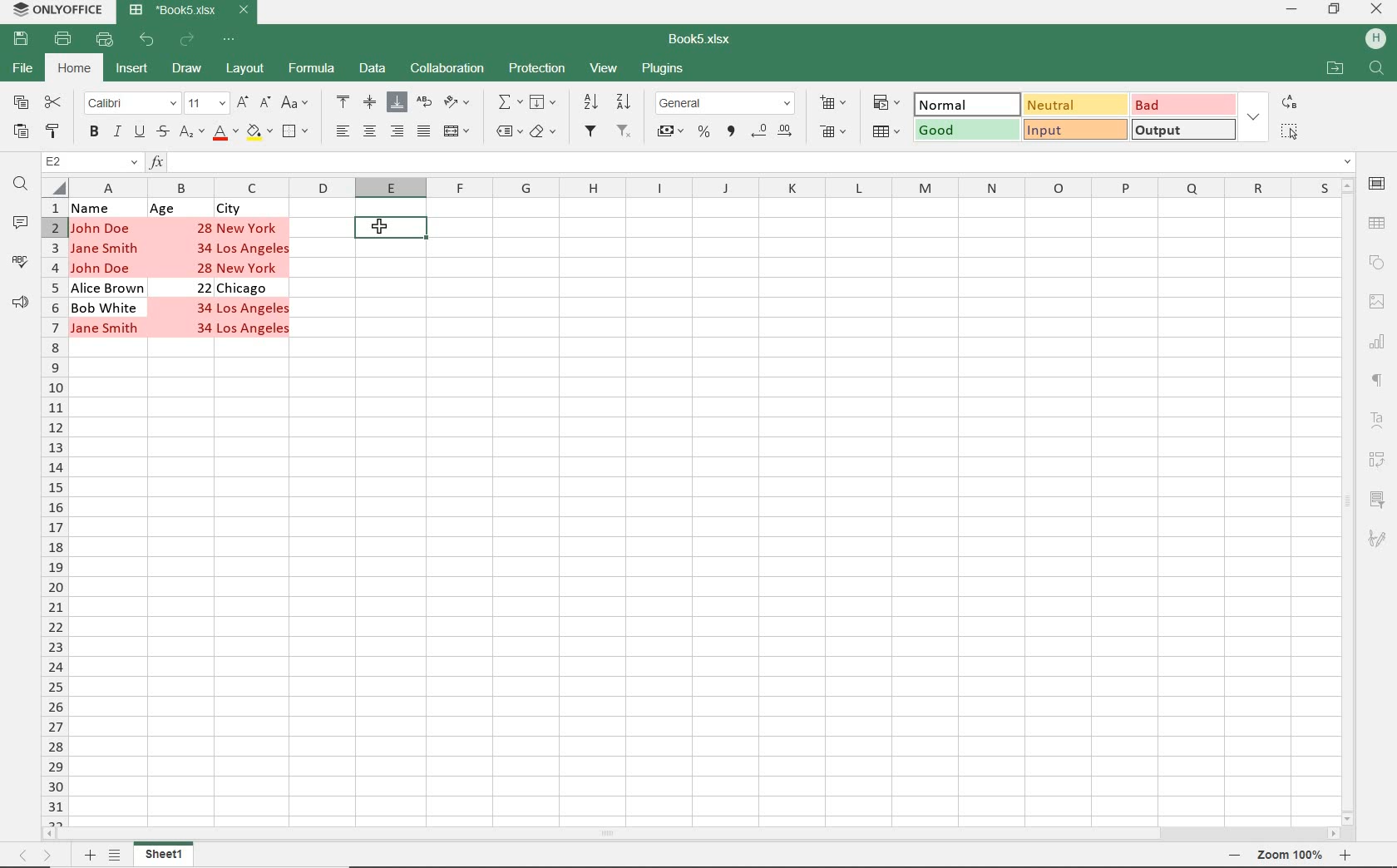  I want to click on INSERT FUNCTION, so click(752, 161).